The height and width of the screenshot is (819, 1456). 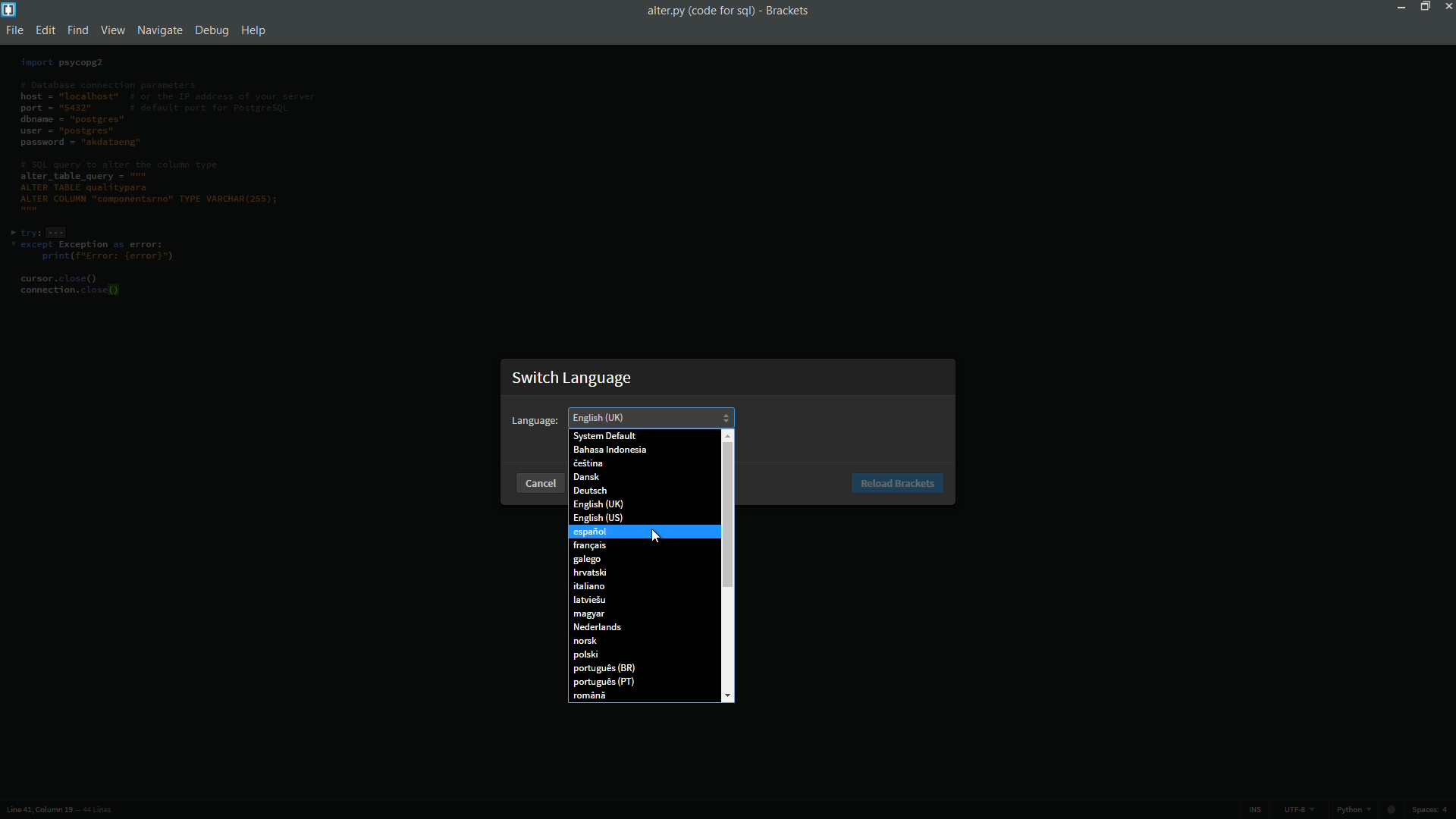 What do you see at coordinates (157, 30) in the screenshot?
I see `navigate menu` at bounding box center [157, 30].